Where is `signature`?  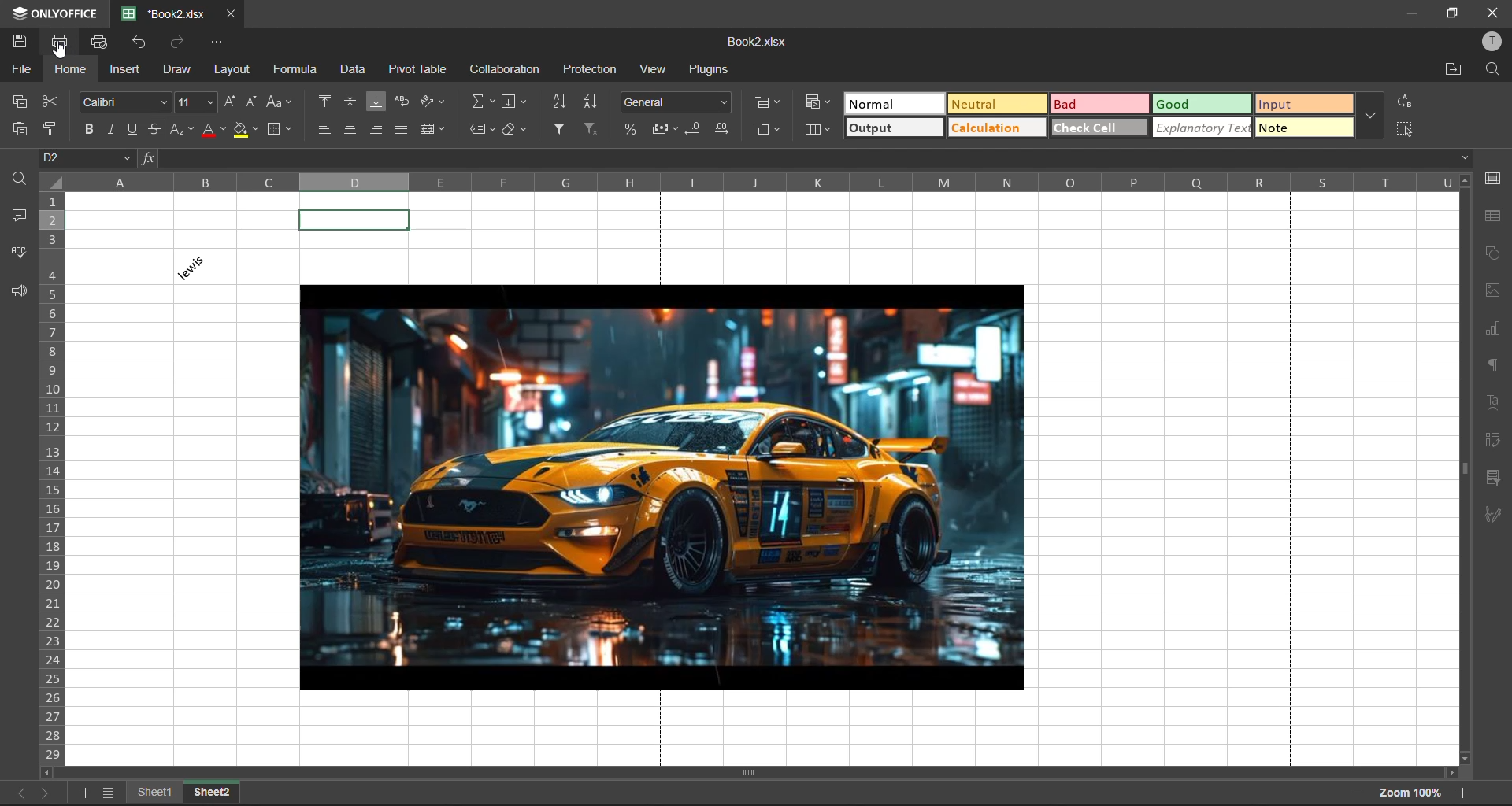 signature is located at coordinates (1492, 513).